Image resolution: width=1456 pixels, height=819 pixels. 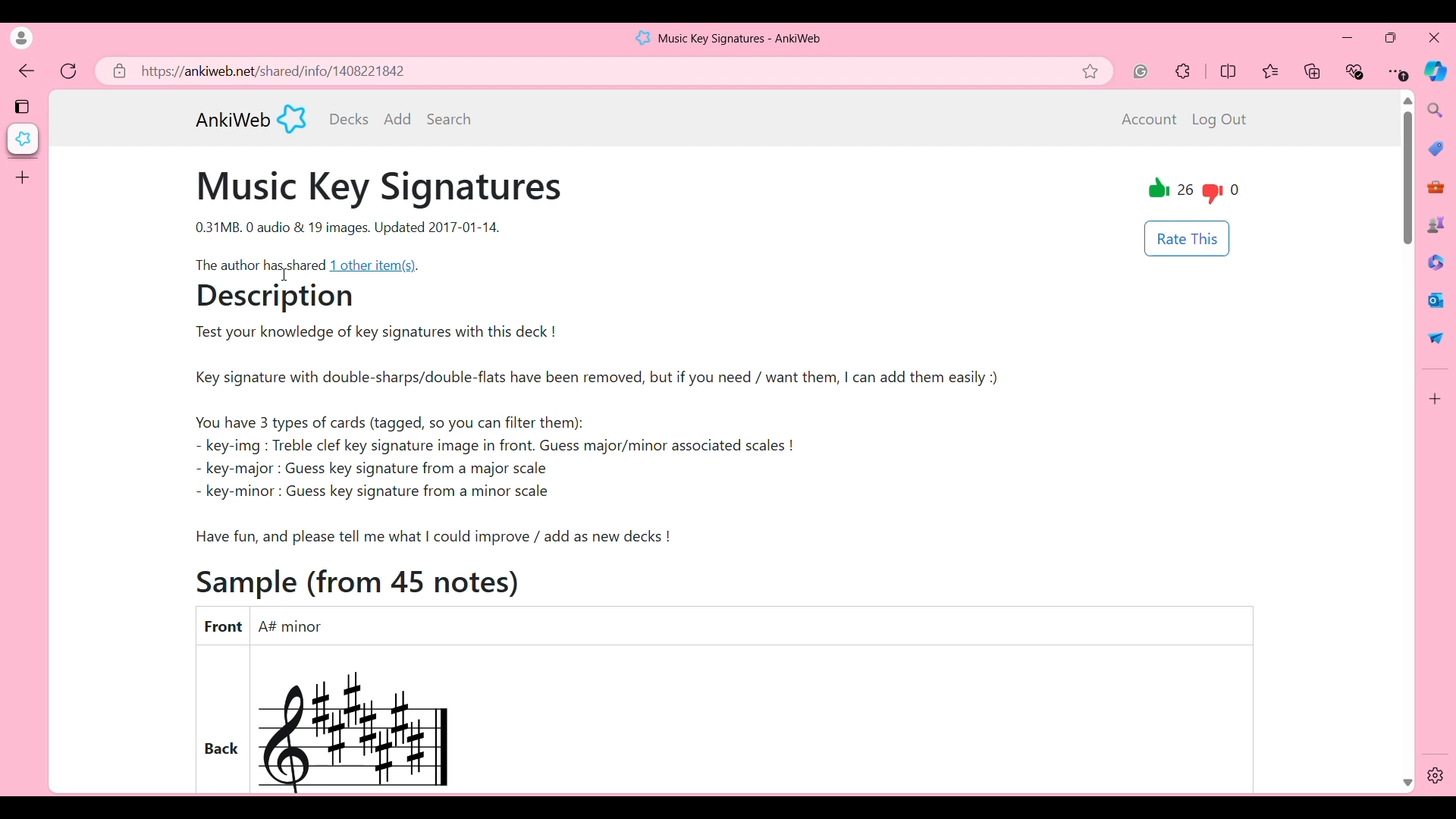 I want to click on https://ankiweb.net/shared/info/1408221842, so click(x=275, y=71).